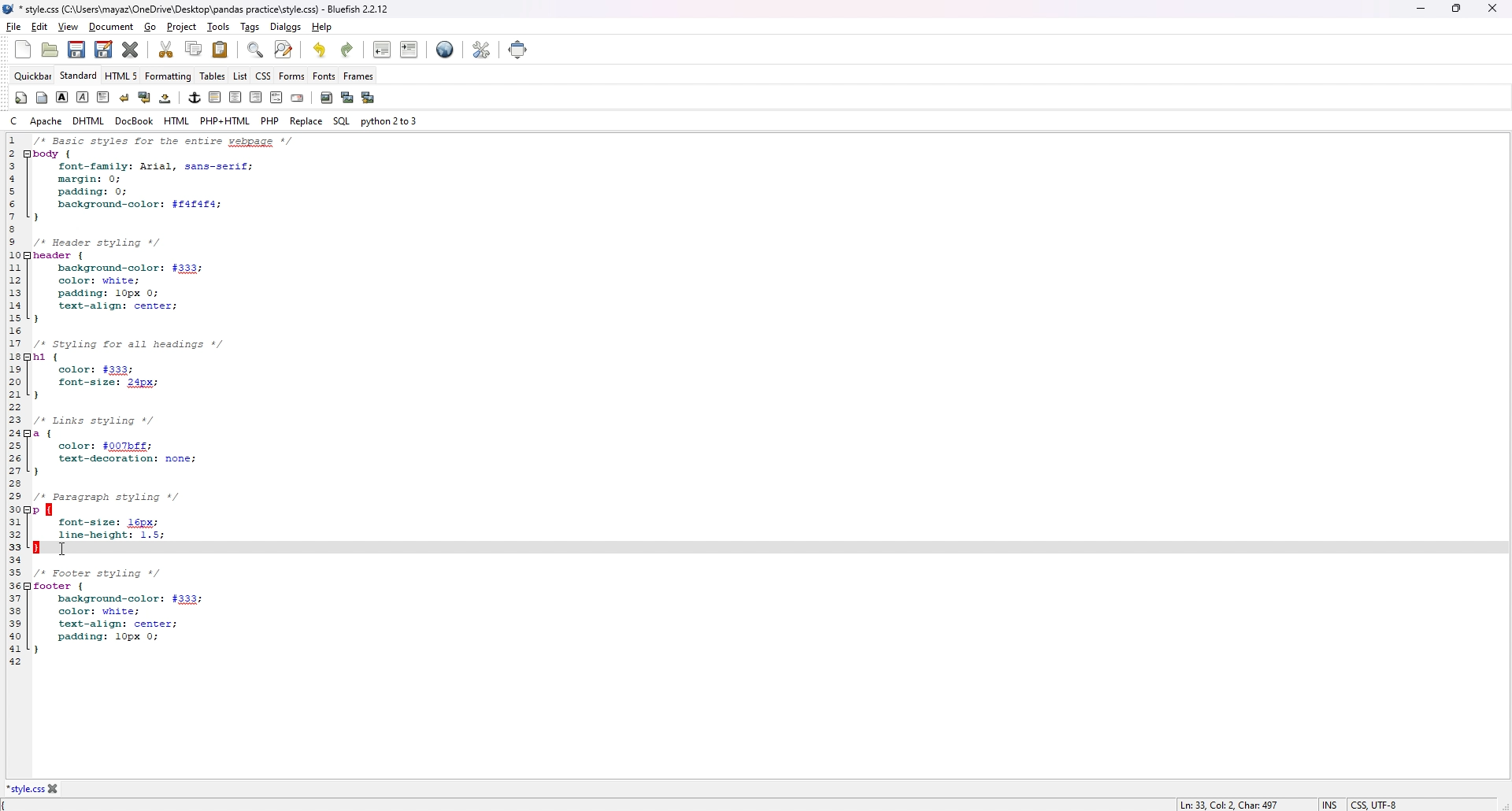  Describe the element at coordinates (369, 98) in the screenshot. I see `multi thumbnail` at that location.